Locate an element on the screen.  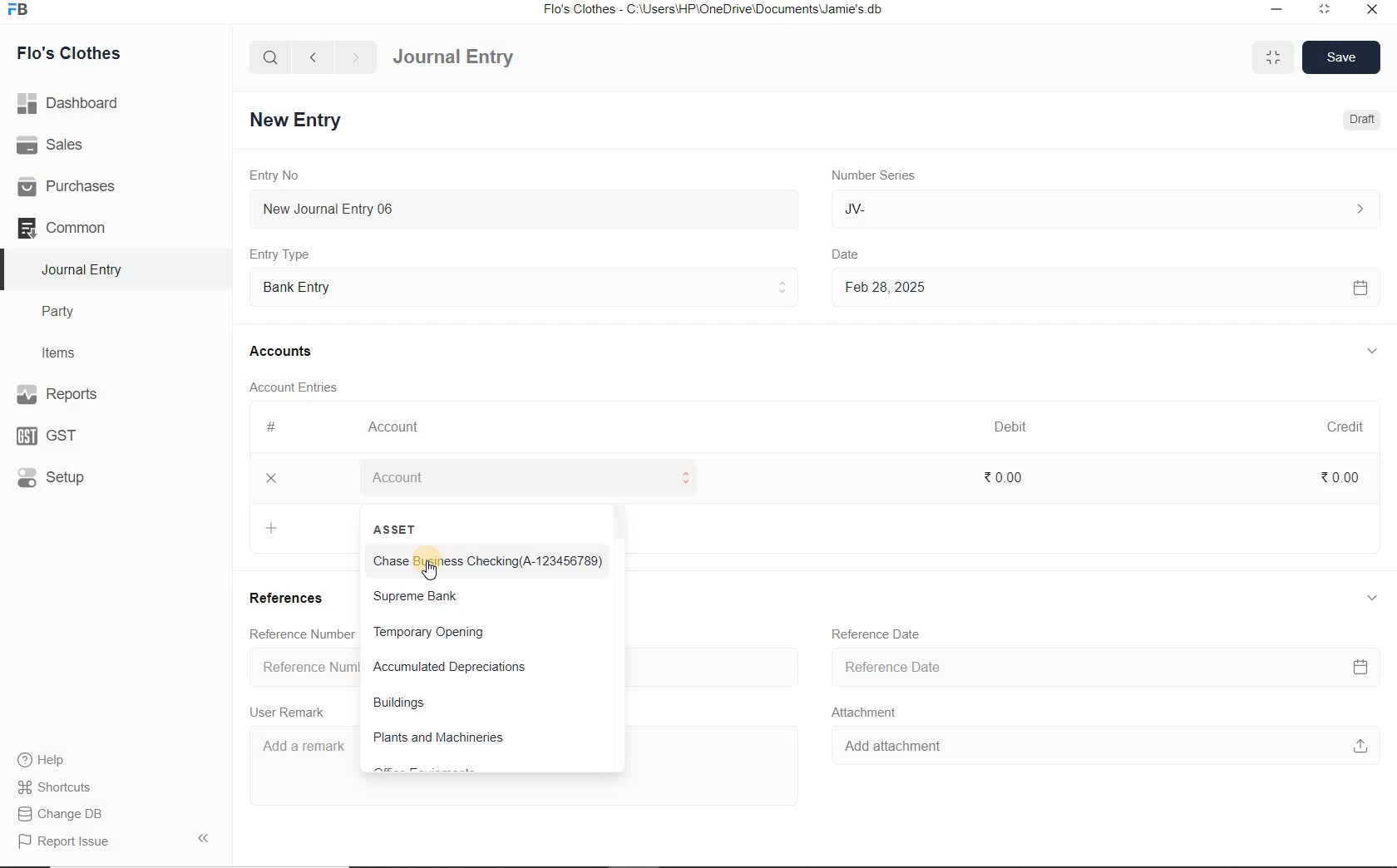
Attachment is located at coordinates (869, 714).